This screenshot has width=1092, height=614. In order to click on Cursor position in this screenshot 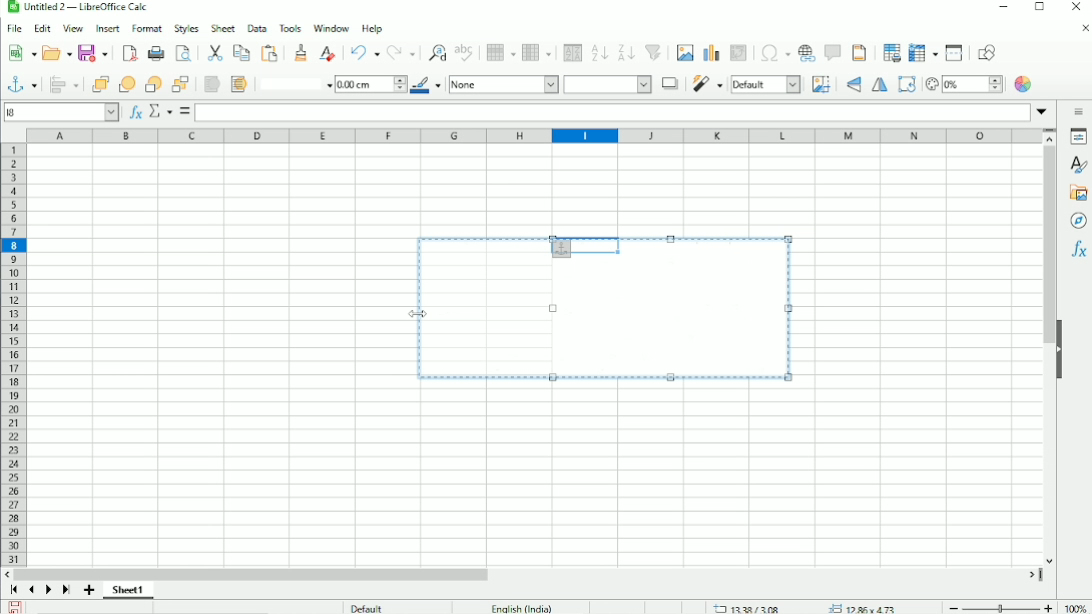, I will do `click(806, 607)`.